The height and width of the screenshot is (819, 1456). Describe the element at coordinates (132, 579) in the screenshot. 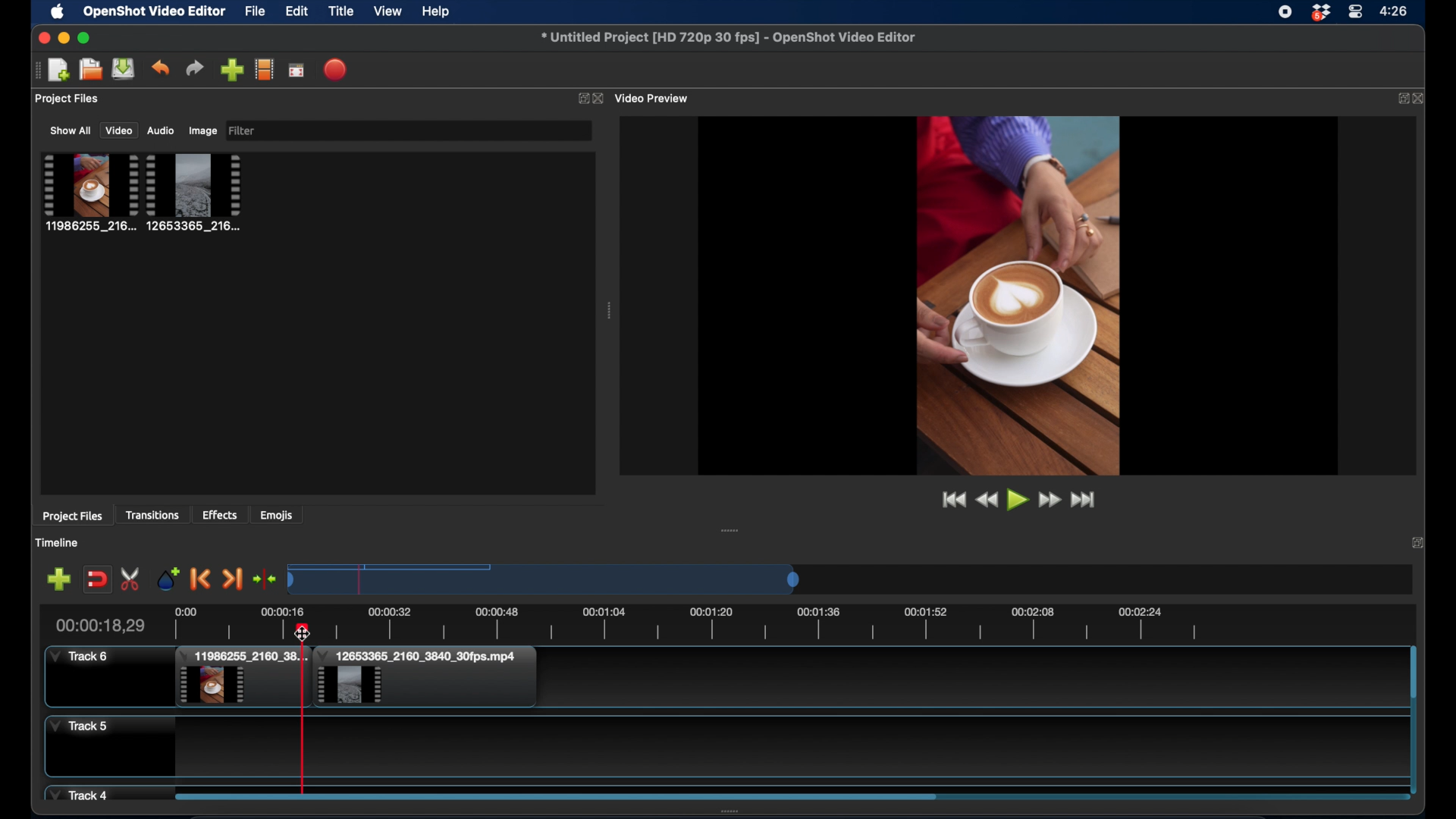

I see `enable razor` at that location.